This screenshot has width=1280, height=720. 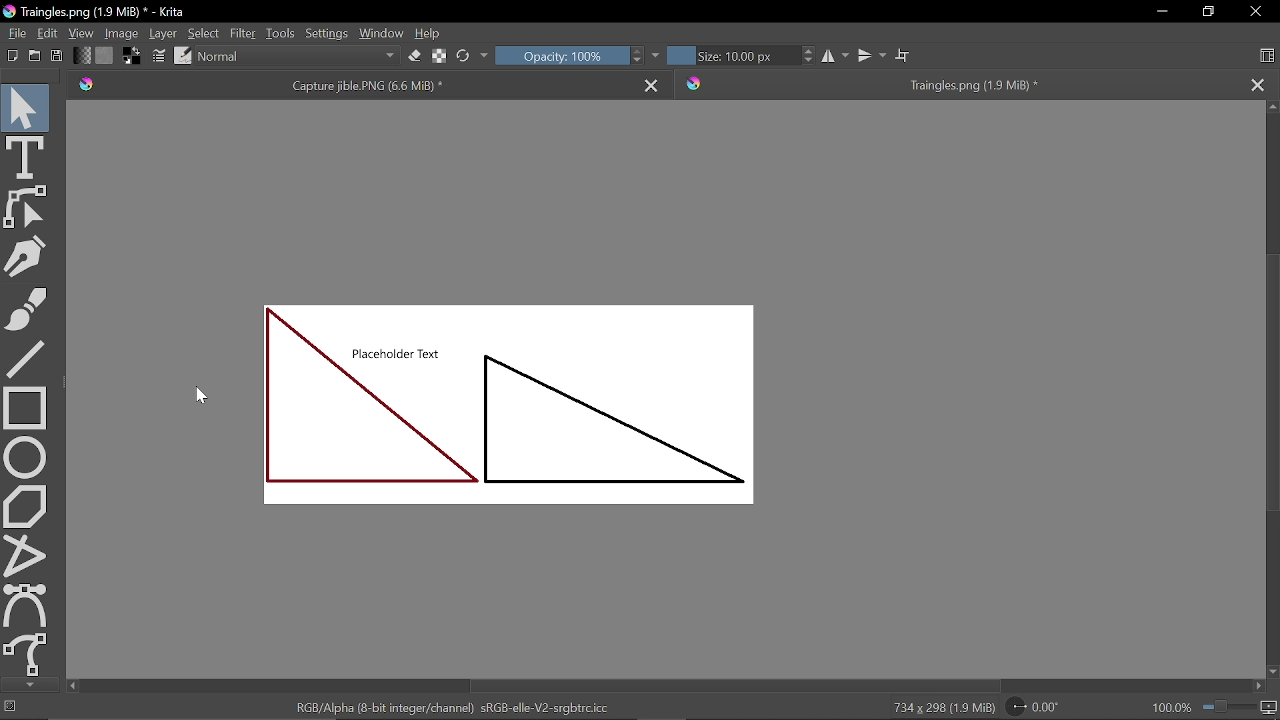 What do you see at coordinates (72, 686) in the screenshot?
I see `Move left` at bounding box center [72, 686].